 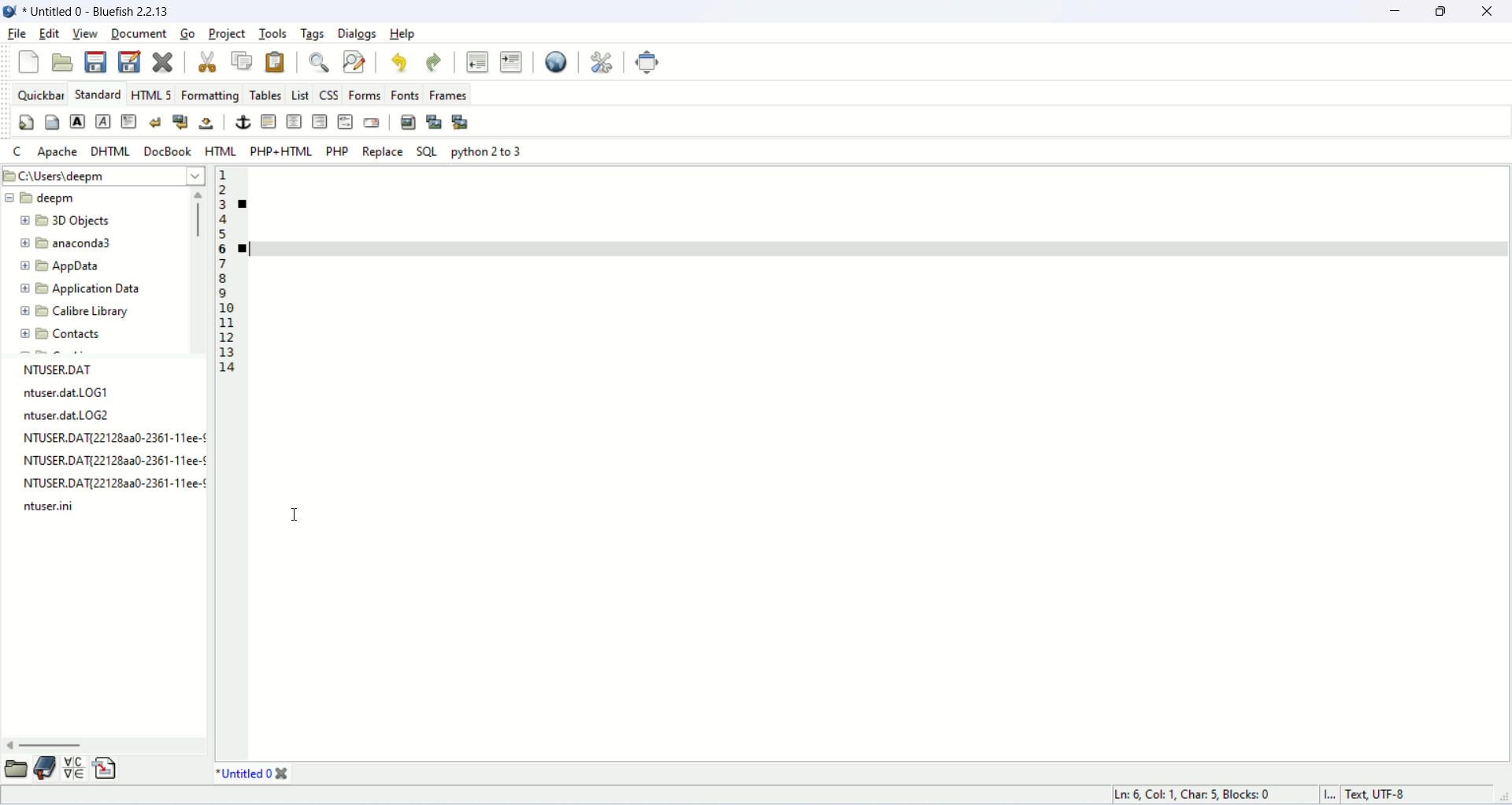 I want to click on charmap, so click(x=76, y=772).